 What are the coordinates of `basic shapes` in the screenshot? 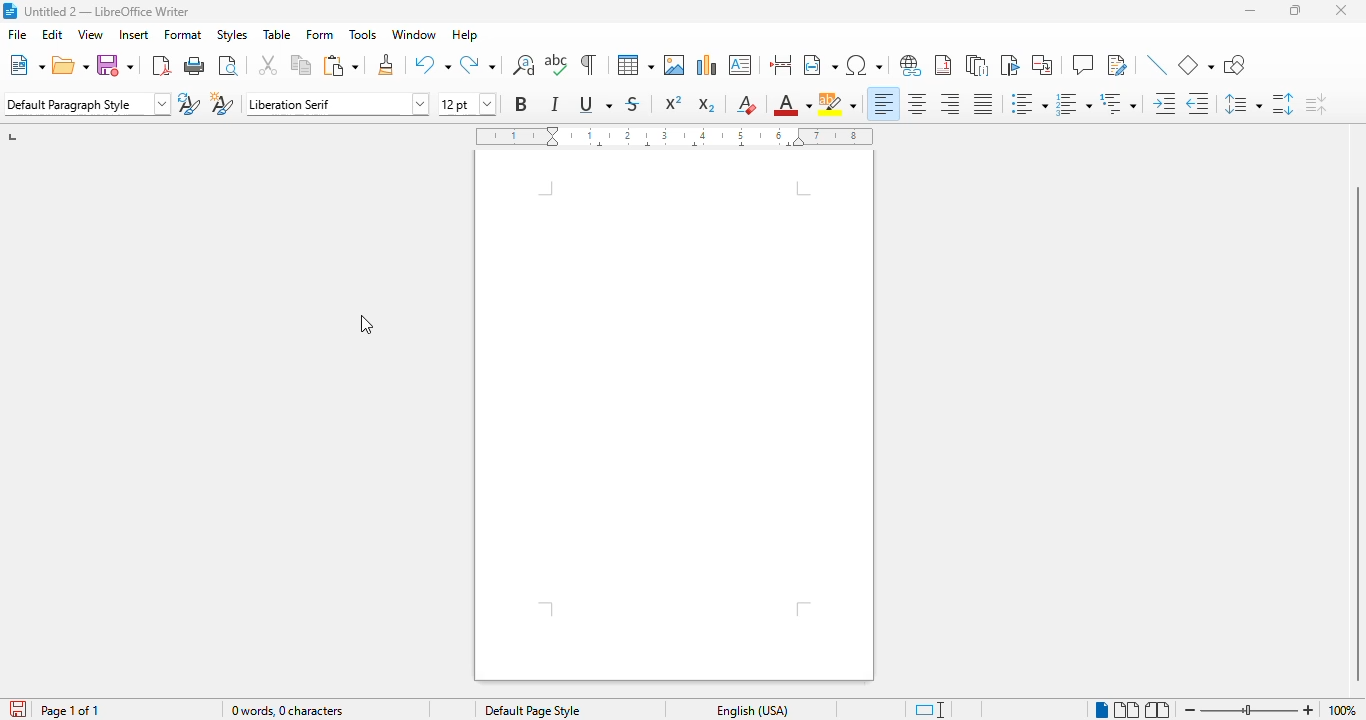 It's located at (1197, 66).